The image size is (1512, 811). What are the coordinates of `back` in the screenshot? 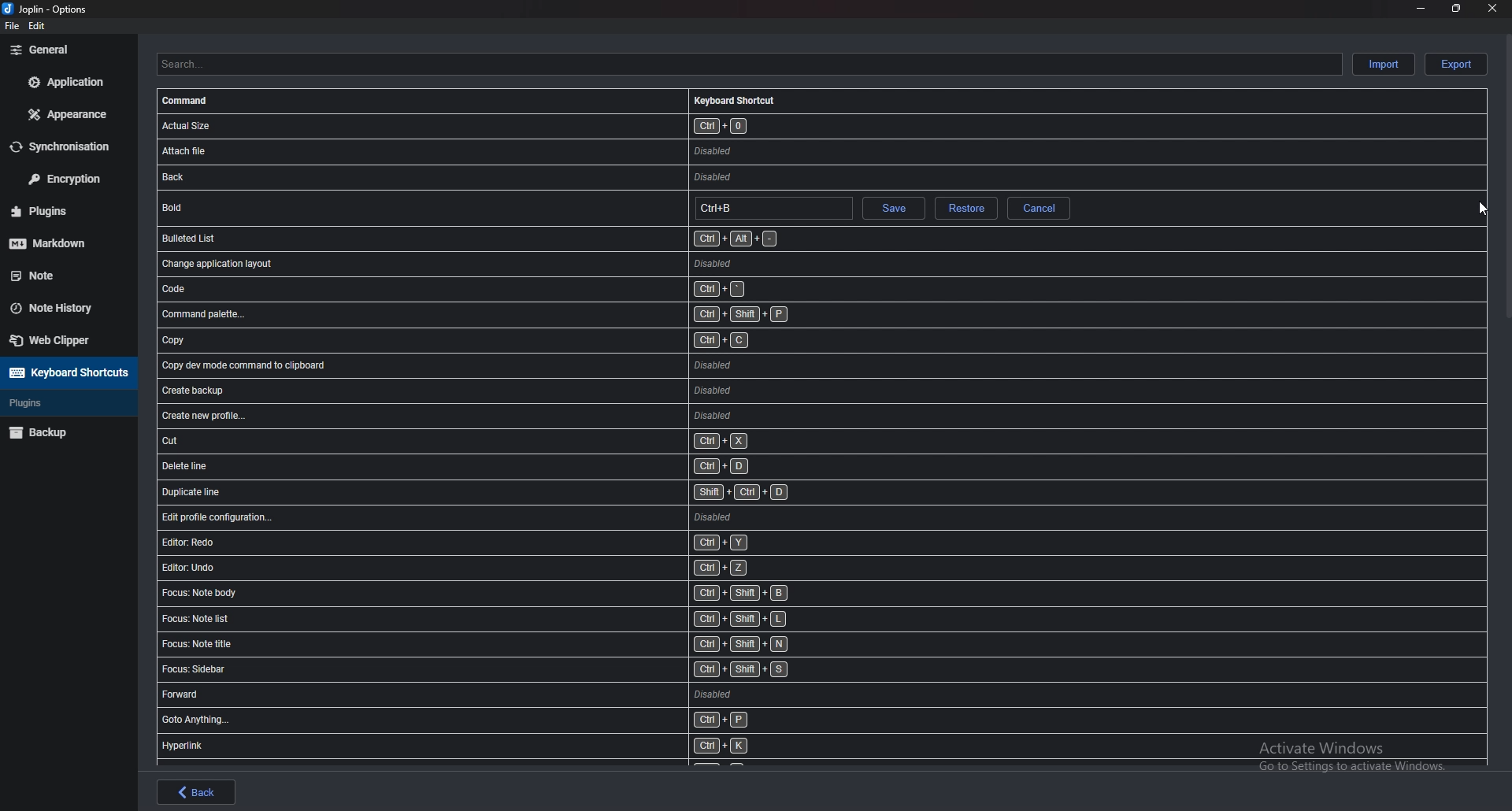 It's located at (195, 791).